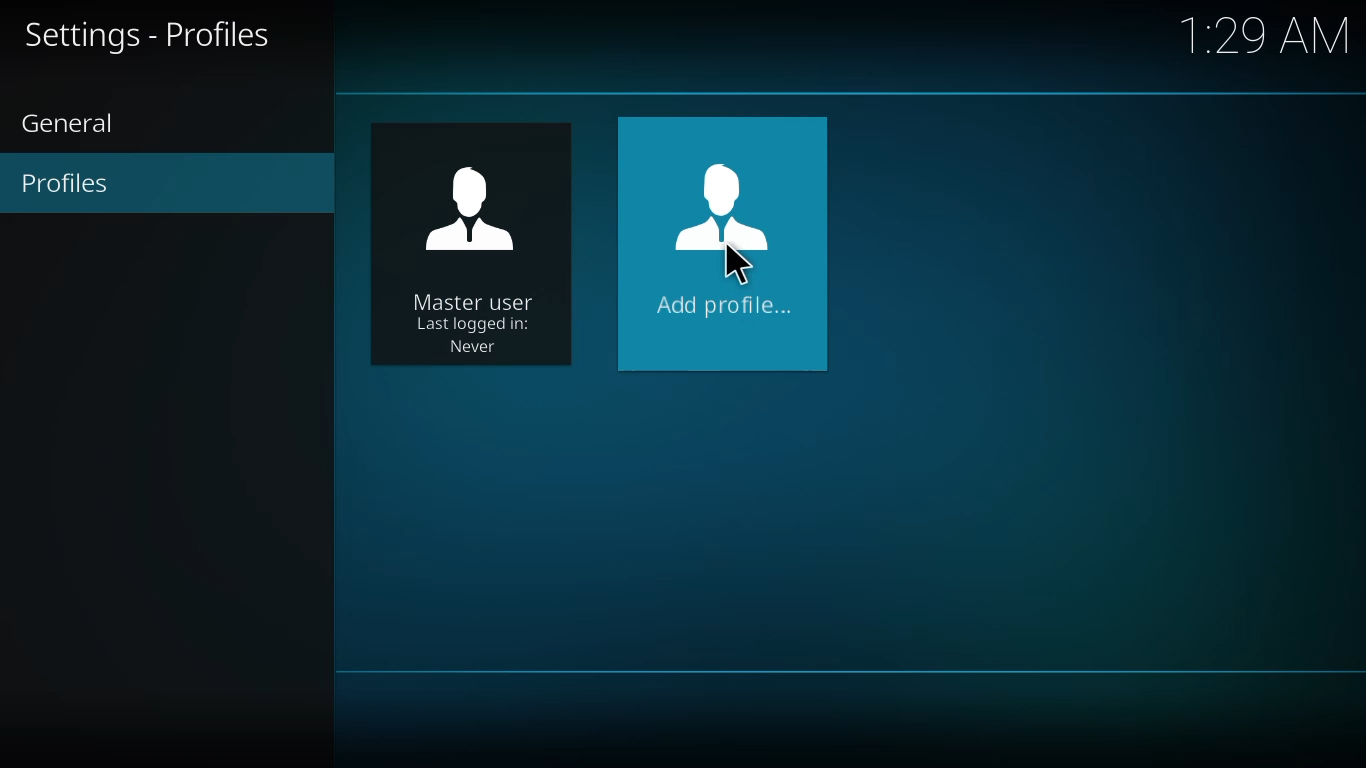  What do you see at coordinates (726, 234) in the screenshot?
I see `add profile` at bounding box center [726, 234].